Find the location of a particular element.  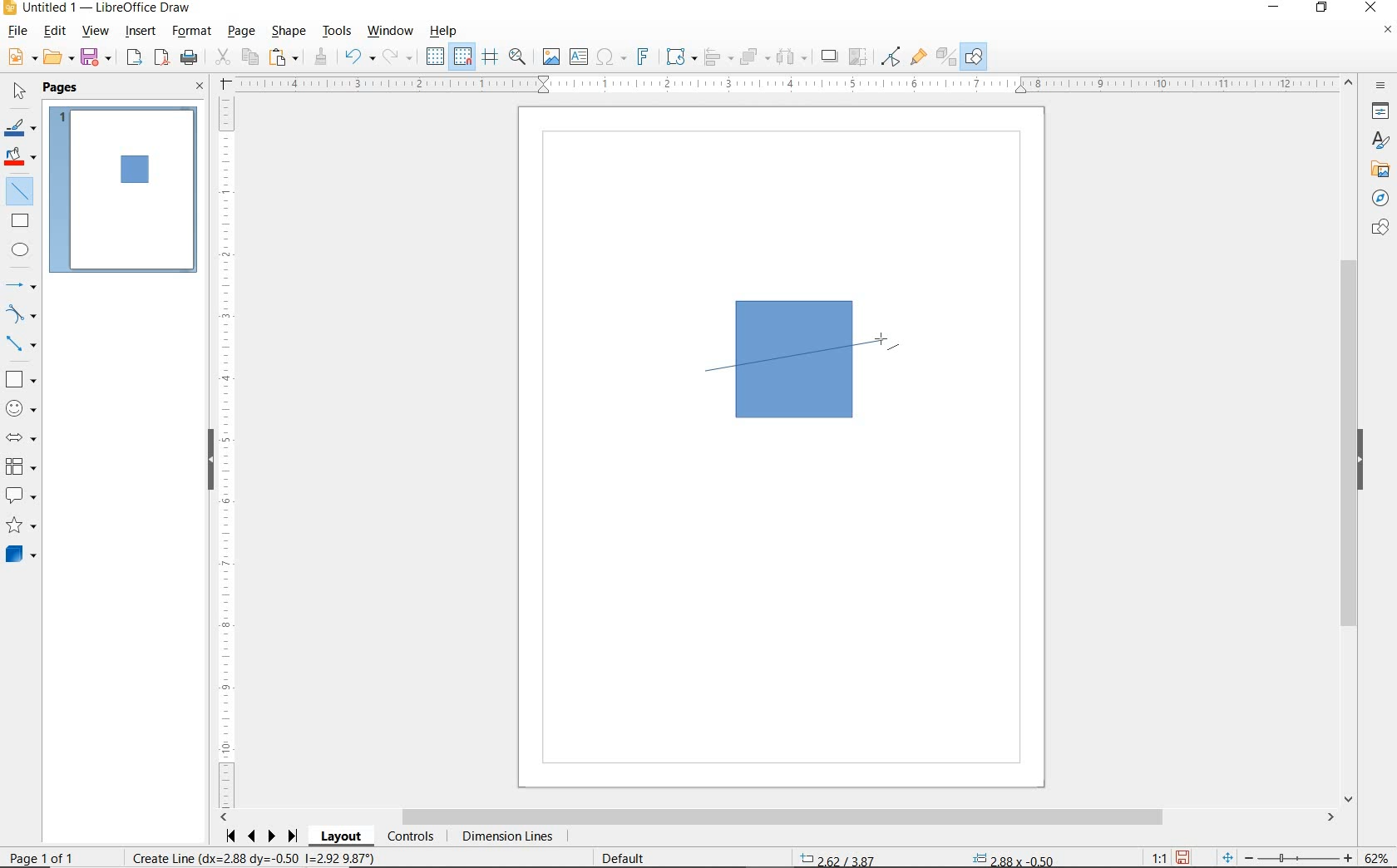

SCROLLBAR is located at coordinates (777, 817).